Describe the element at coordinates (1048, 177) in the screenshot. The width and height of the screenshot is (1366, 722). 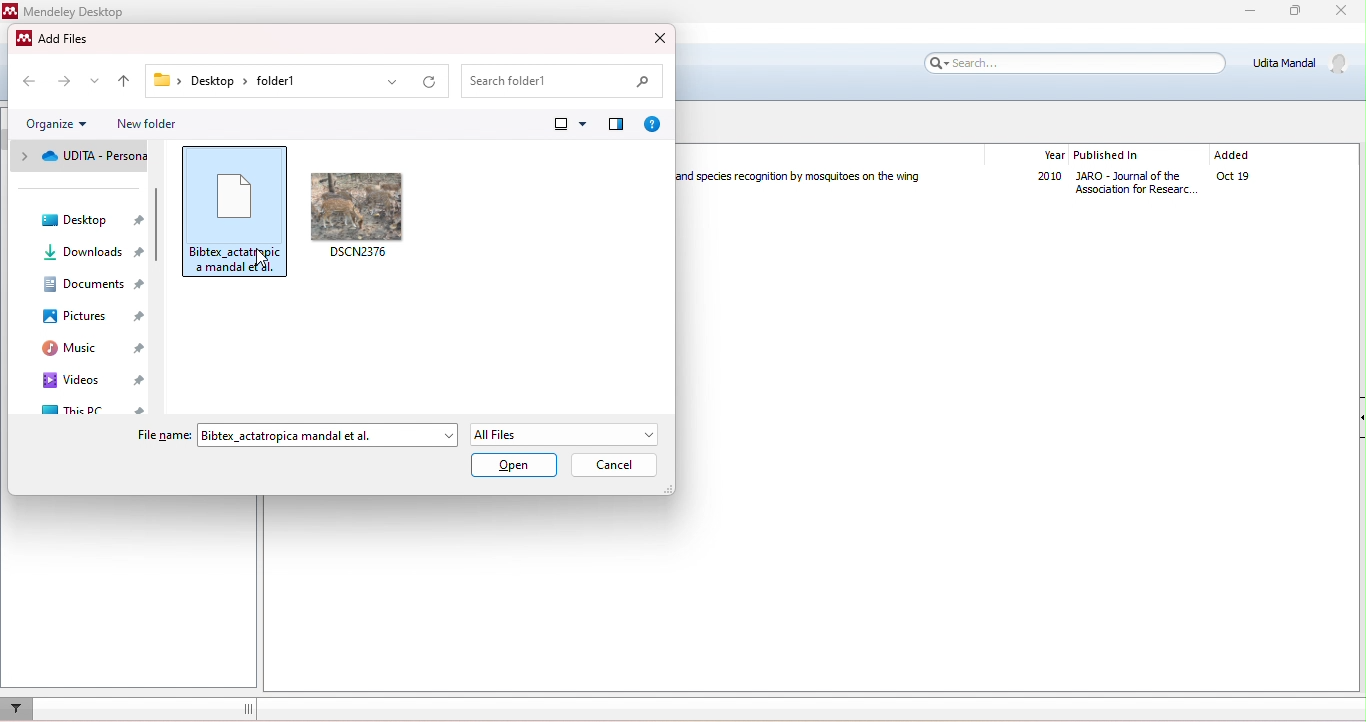
I see `2010` at that location.